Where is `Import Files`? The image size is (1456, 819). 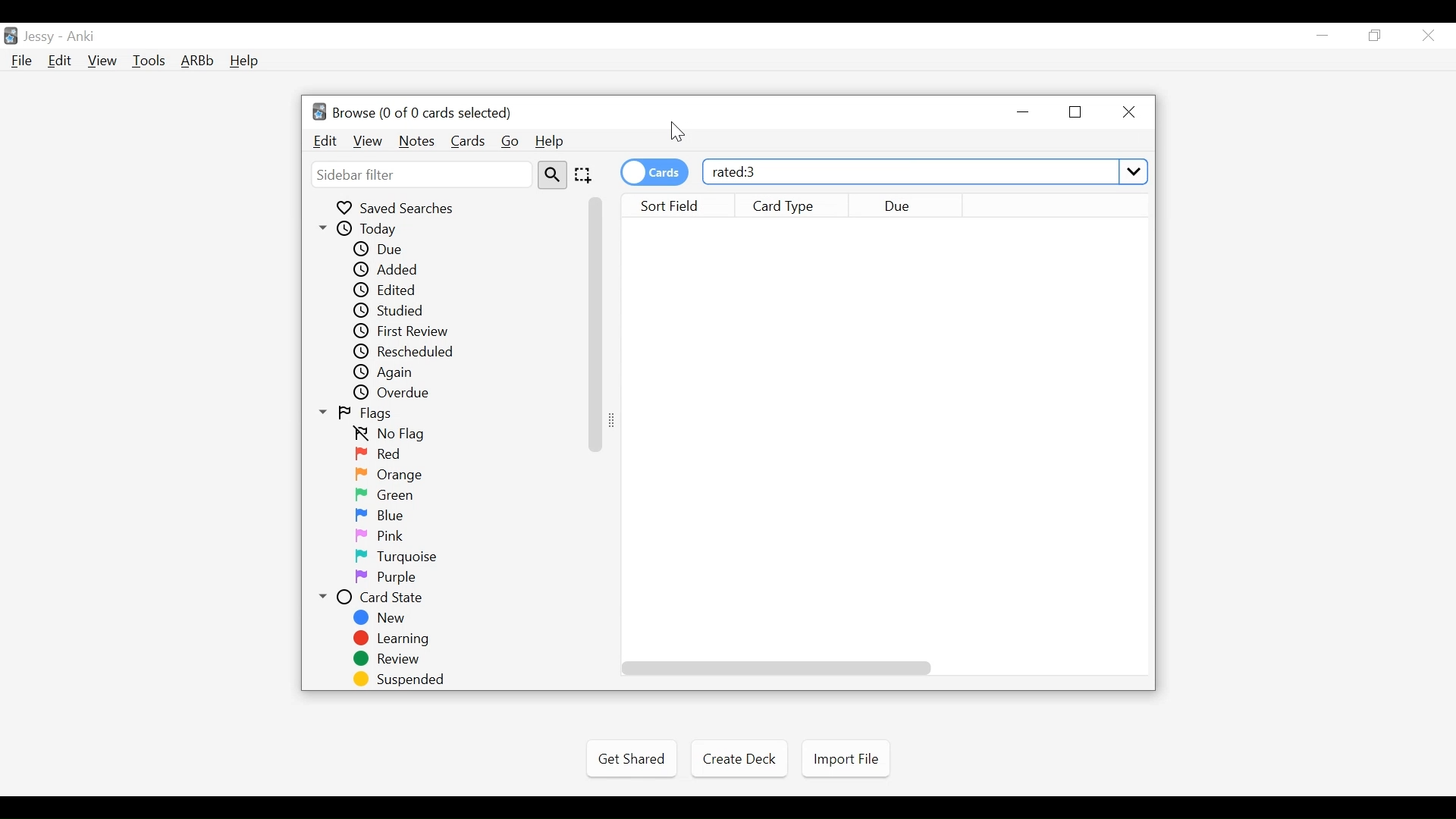 Import Files is located at coordinates (846, 761).